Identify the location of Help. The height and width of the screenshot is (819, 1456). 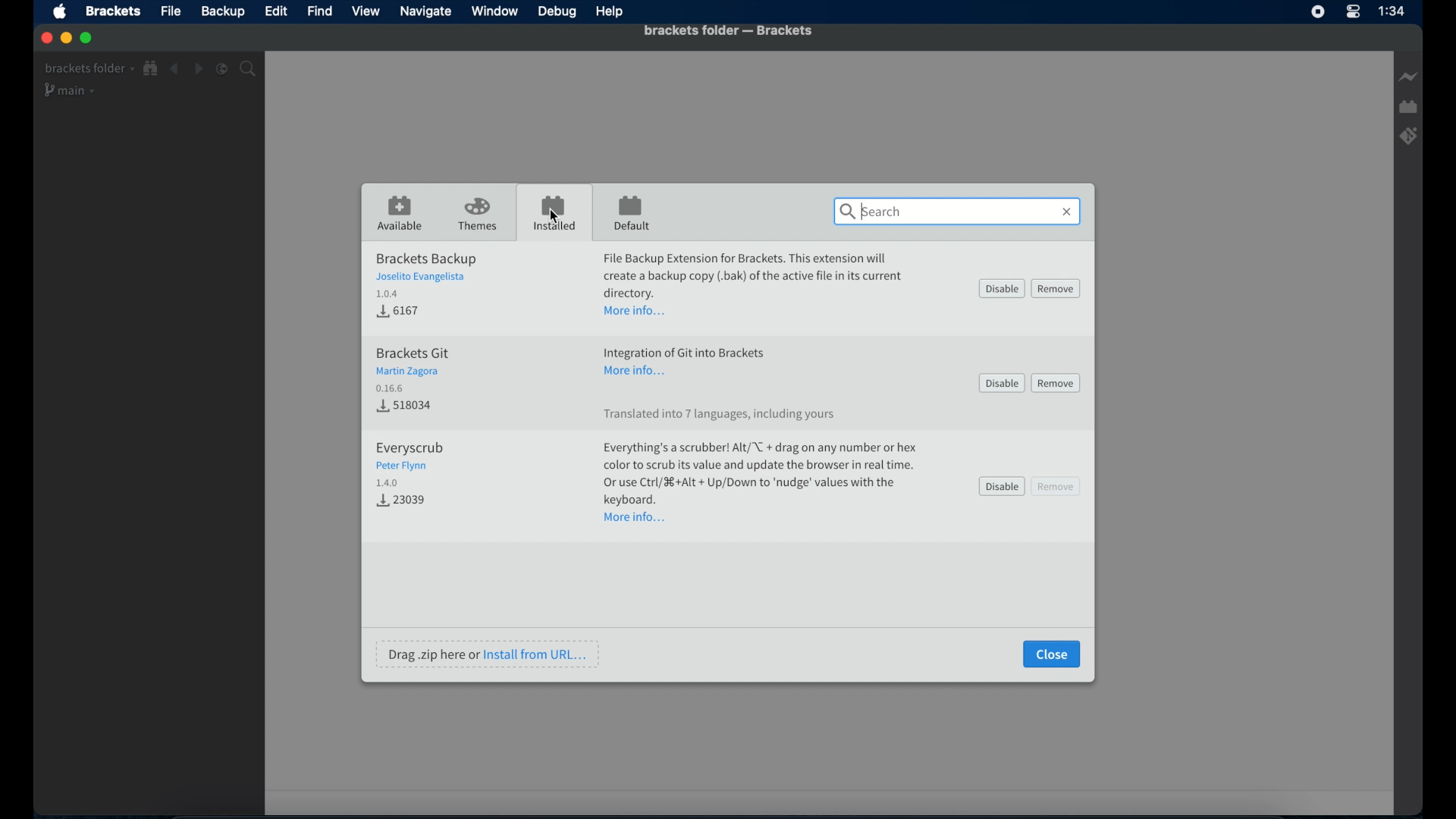
(610, 13).